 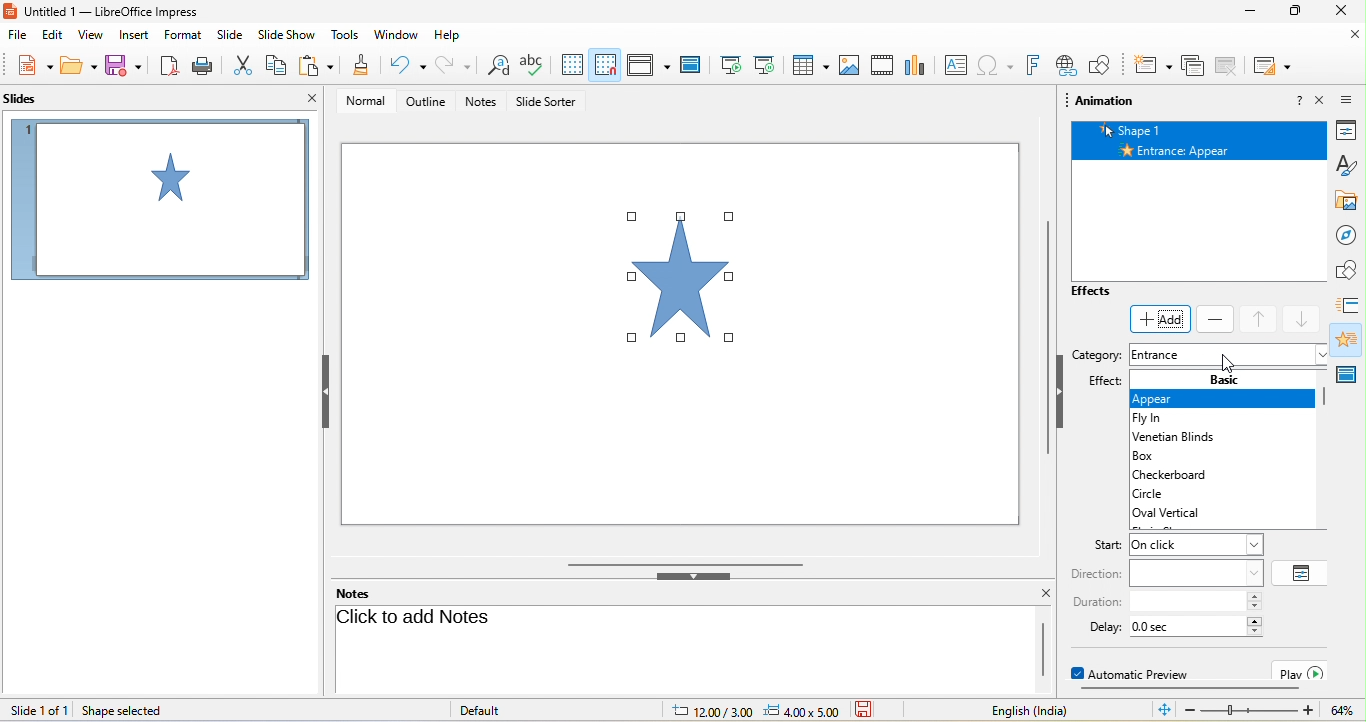 What do you see at coordinates (1191, 67) in the screenshot?
I see `delete slide` at bounding box center [1191, 67].